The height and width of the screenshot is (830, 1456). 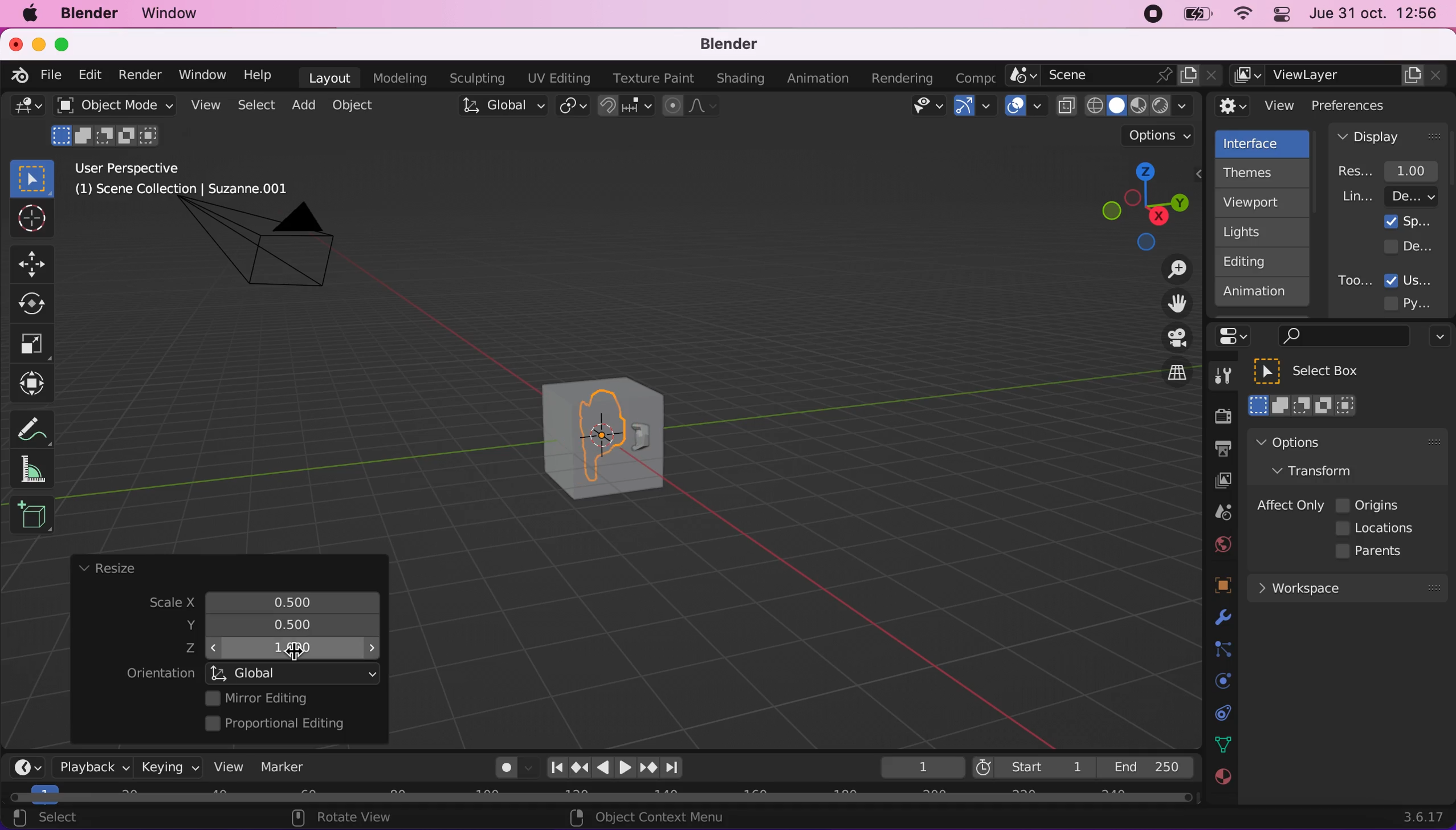 What do you see at coordinates (1369, 503) in the screenshot?
I see `origins` at bounding box center [1369, 503].